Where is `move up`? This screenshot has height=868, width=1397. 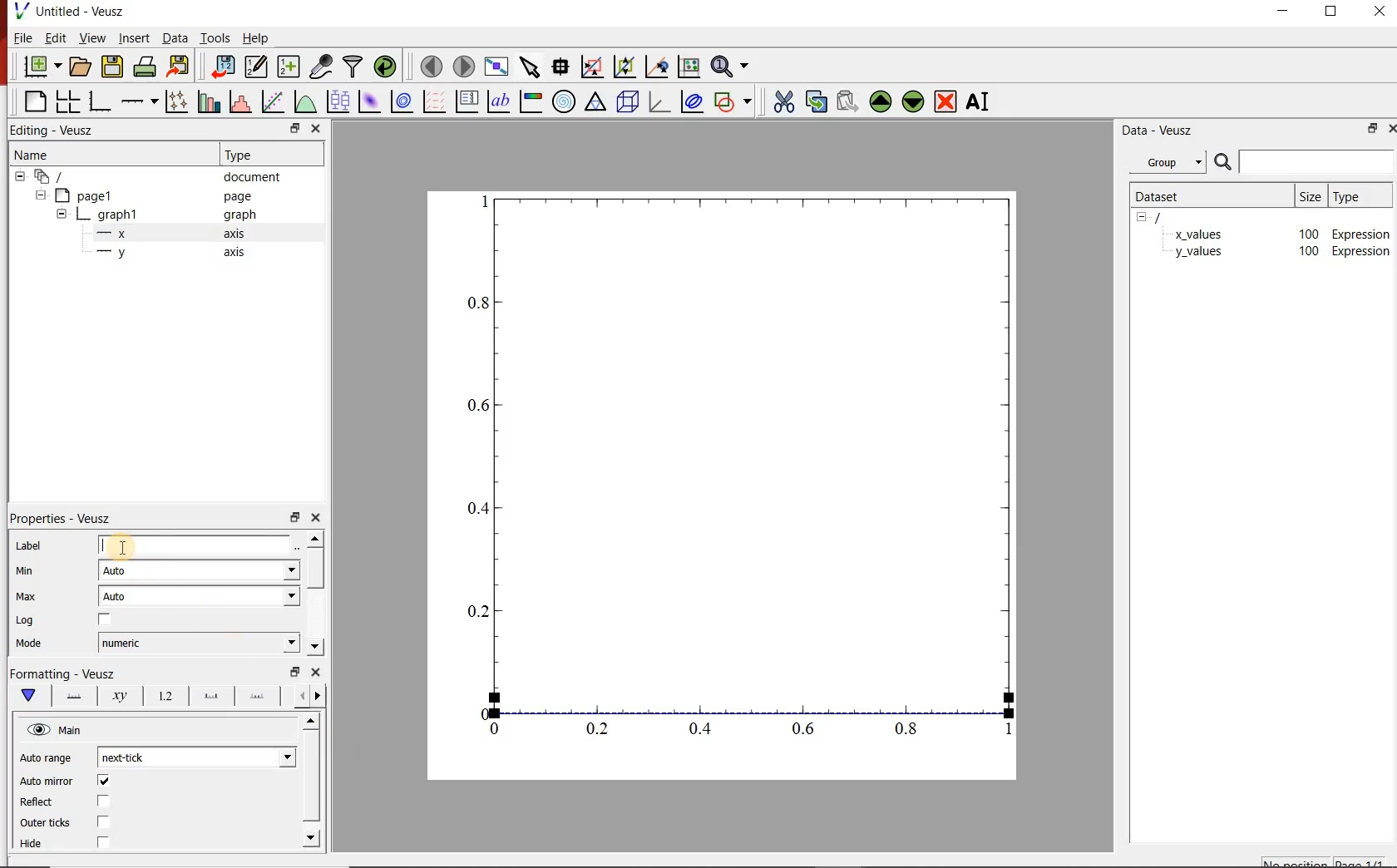 move up is located at coordinates (309, 722).